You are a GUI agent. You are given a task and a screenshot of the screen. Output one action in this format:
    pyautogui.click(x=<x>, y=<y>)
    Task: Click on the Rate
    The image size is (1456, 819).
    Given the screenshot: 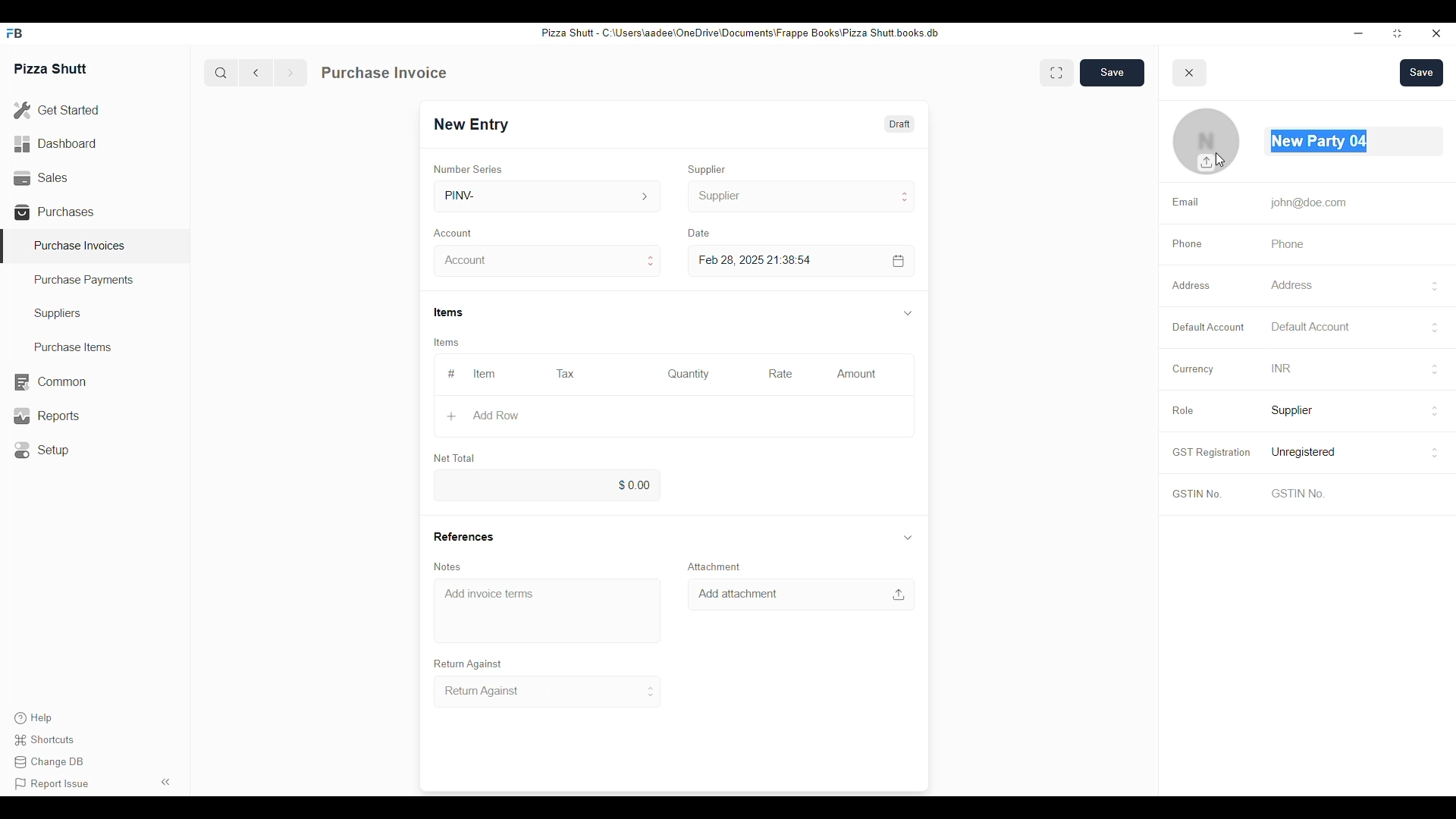 What is the action you would take?
    pyautogui.click(x=780, y=374)
    